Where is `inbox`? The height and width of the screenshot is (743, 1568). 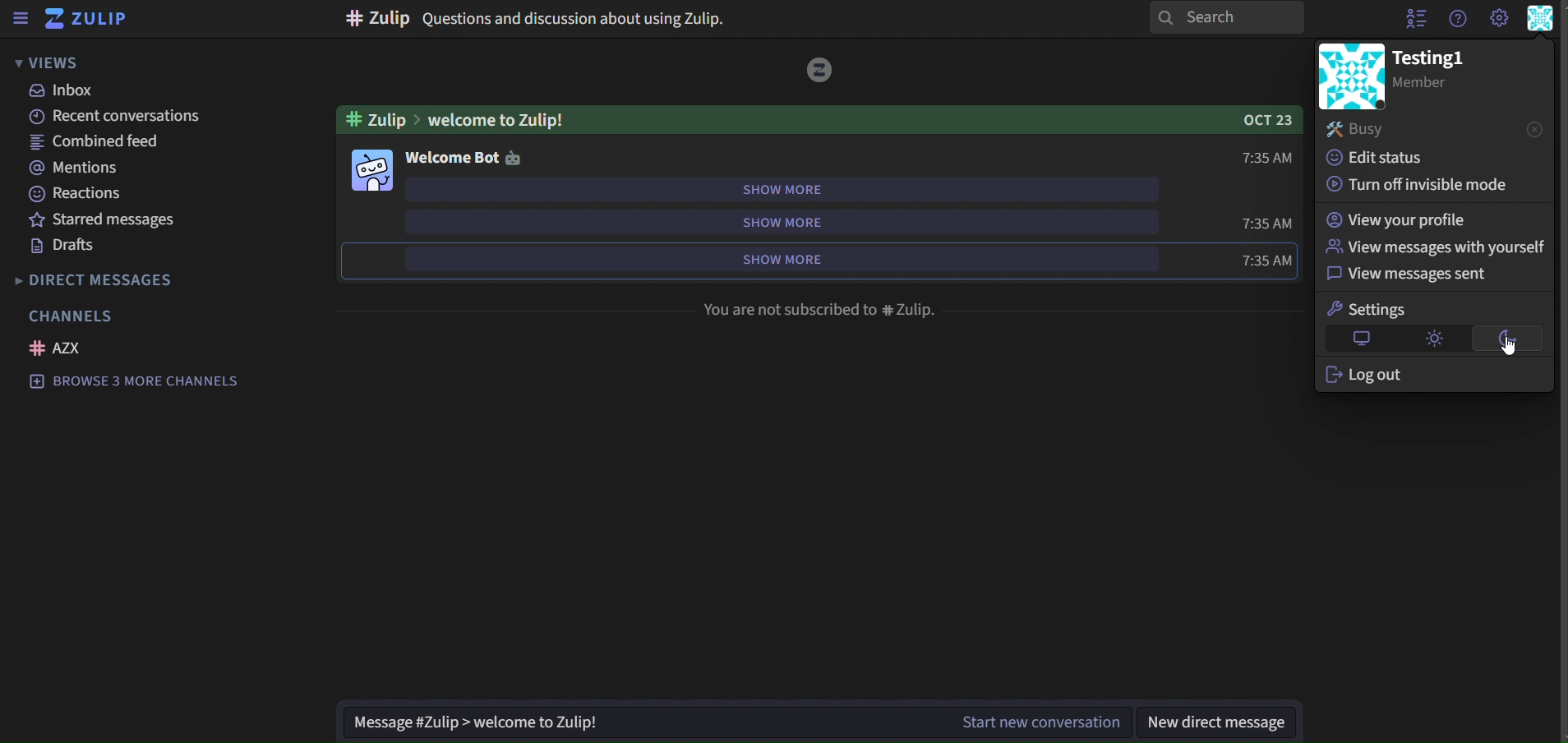
inbox is located at coordinates (67, 92).